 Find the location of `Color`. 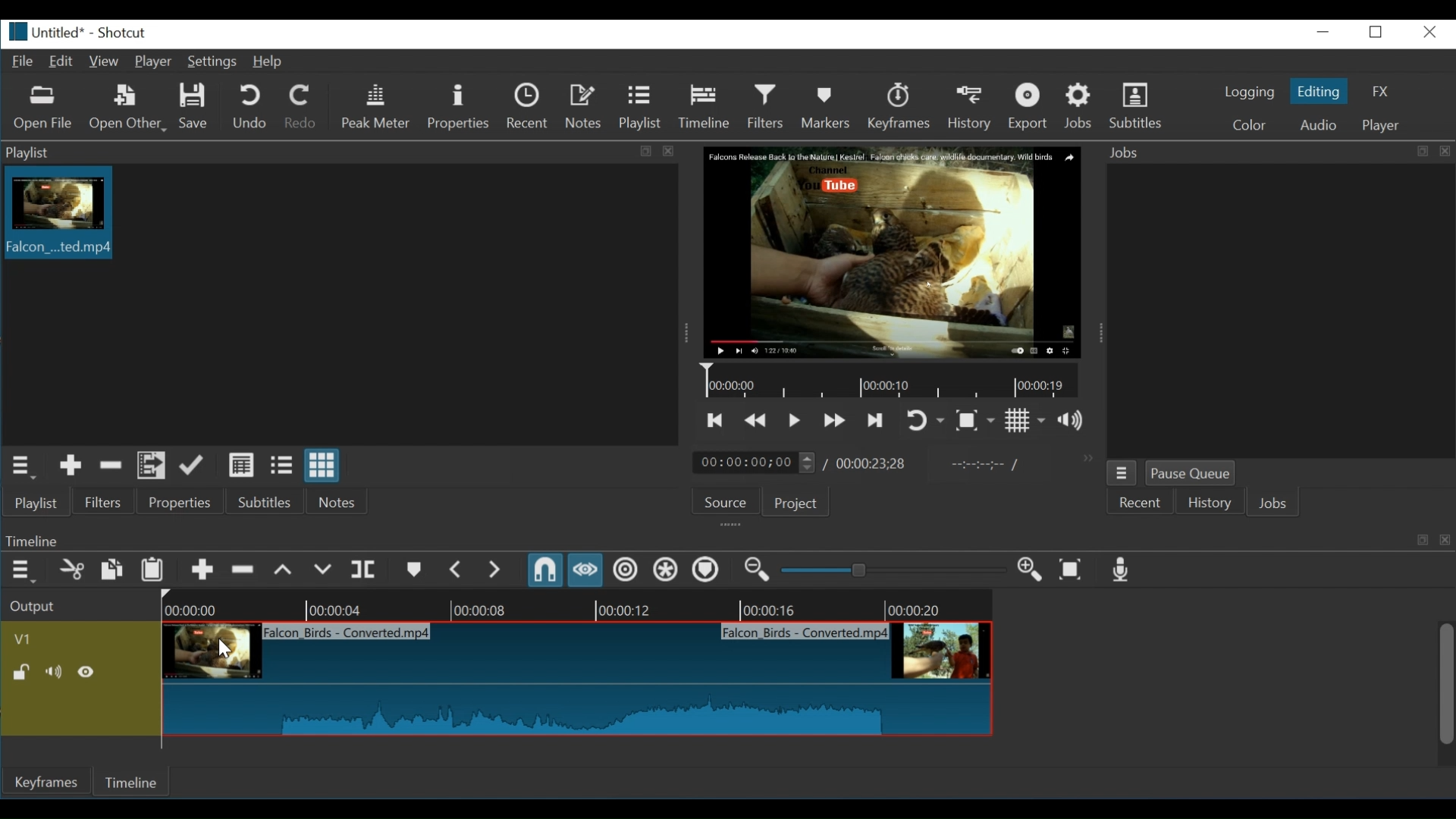

Color is located at coordinates (1250, 124).